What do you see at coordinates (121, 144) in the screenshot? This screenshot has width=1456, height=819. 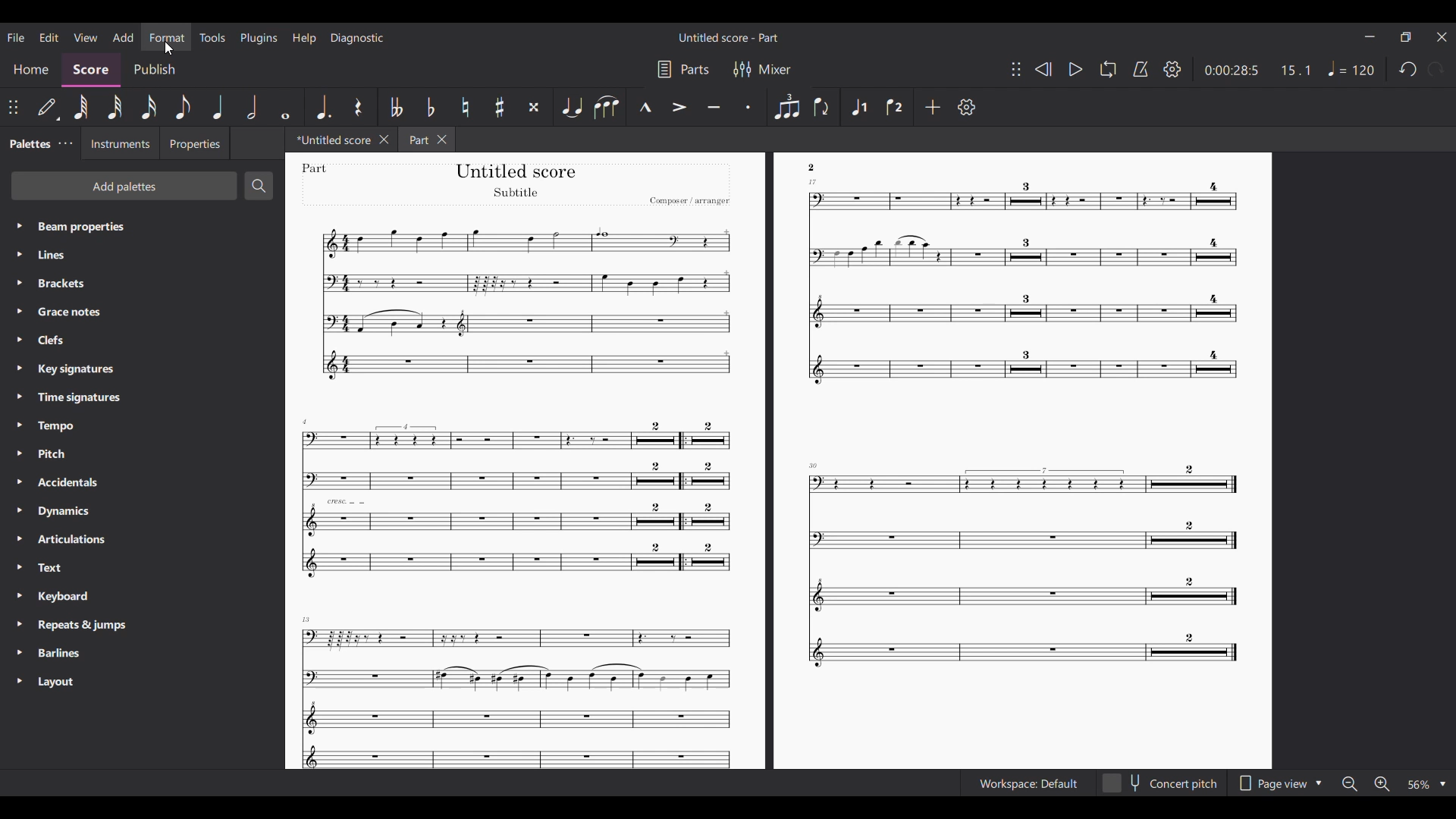 I see `Instruments tab` at bounding box center [121, 144].